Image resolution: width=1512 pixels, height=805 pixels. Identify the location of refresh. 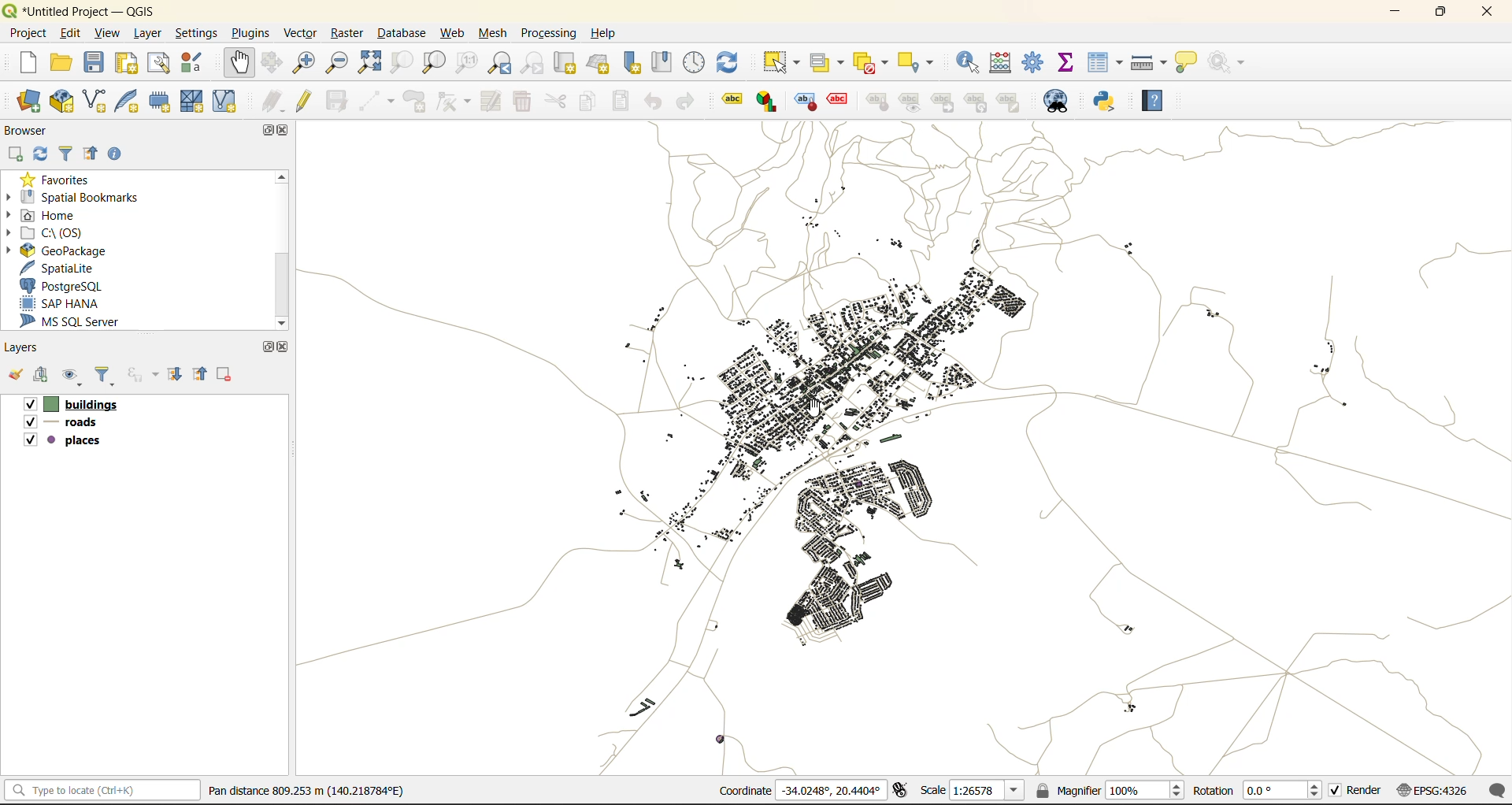
(40, 154).